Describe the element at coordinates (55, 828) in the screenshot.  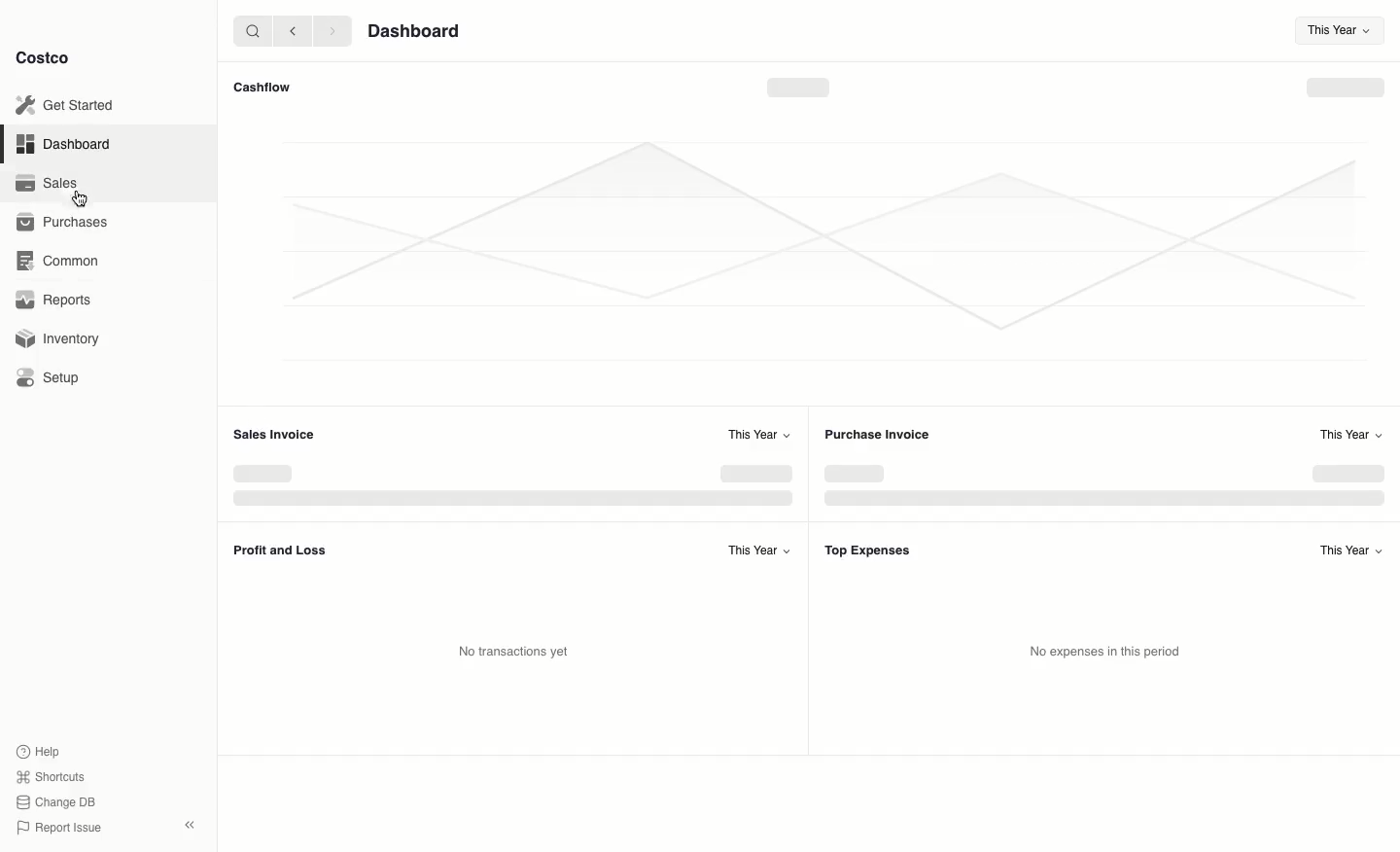
I see `Report Issue` at that location.